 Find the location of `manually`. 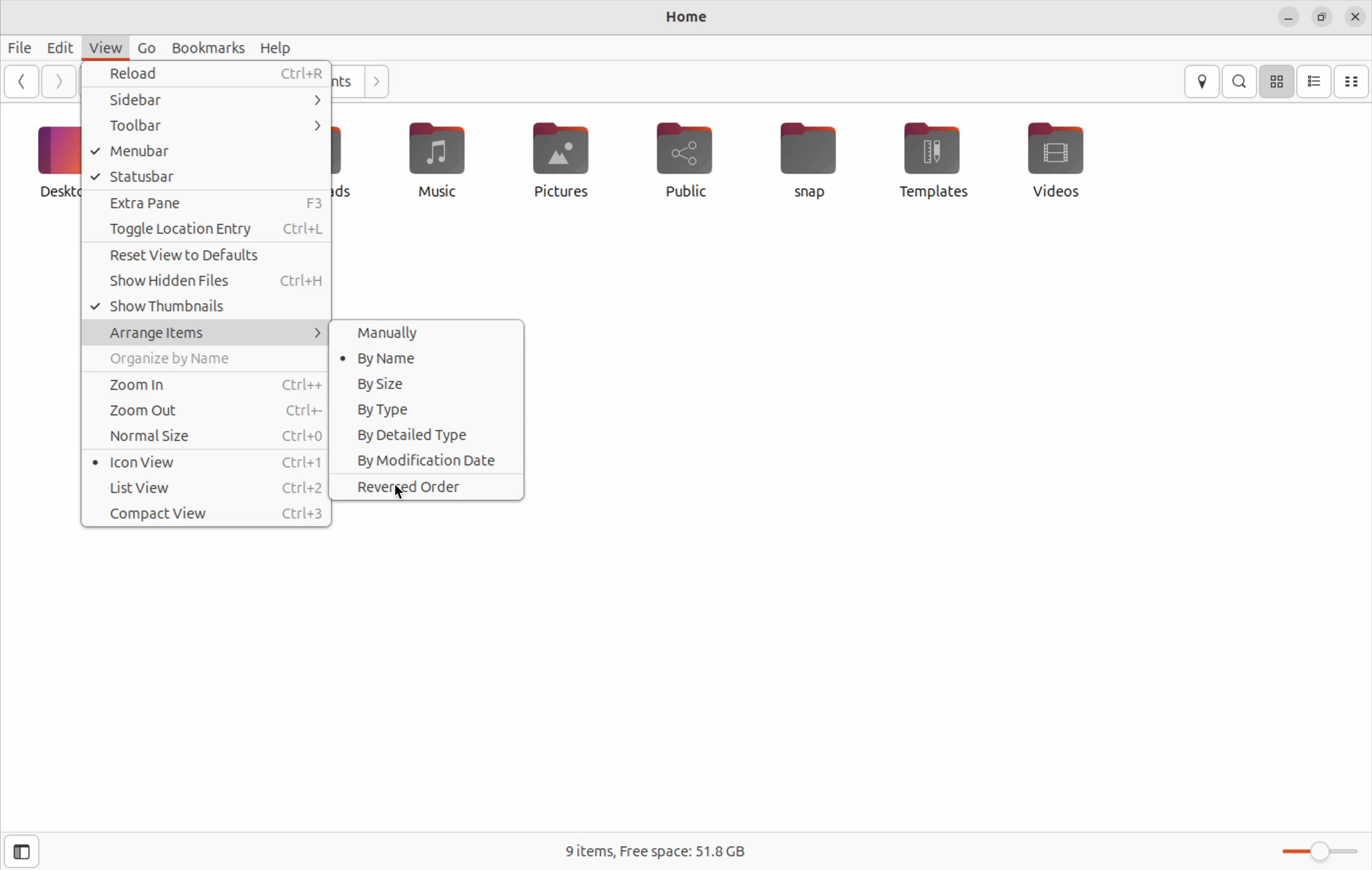

manually is located at coordinates (432, 331).